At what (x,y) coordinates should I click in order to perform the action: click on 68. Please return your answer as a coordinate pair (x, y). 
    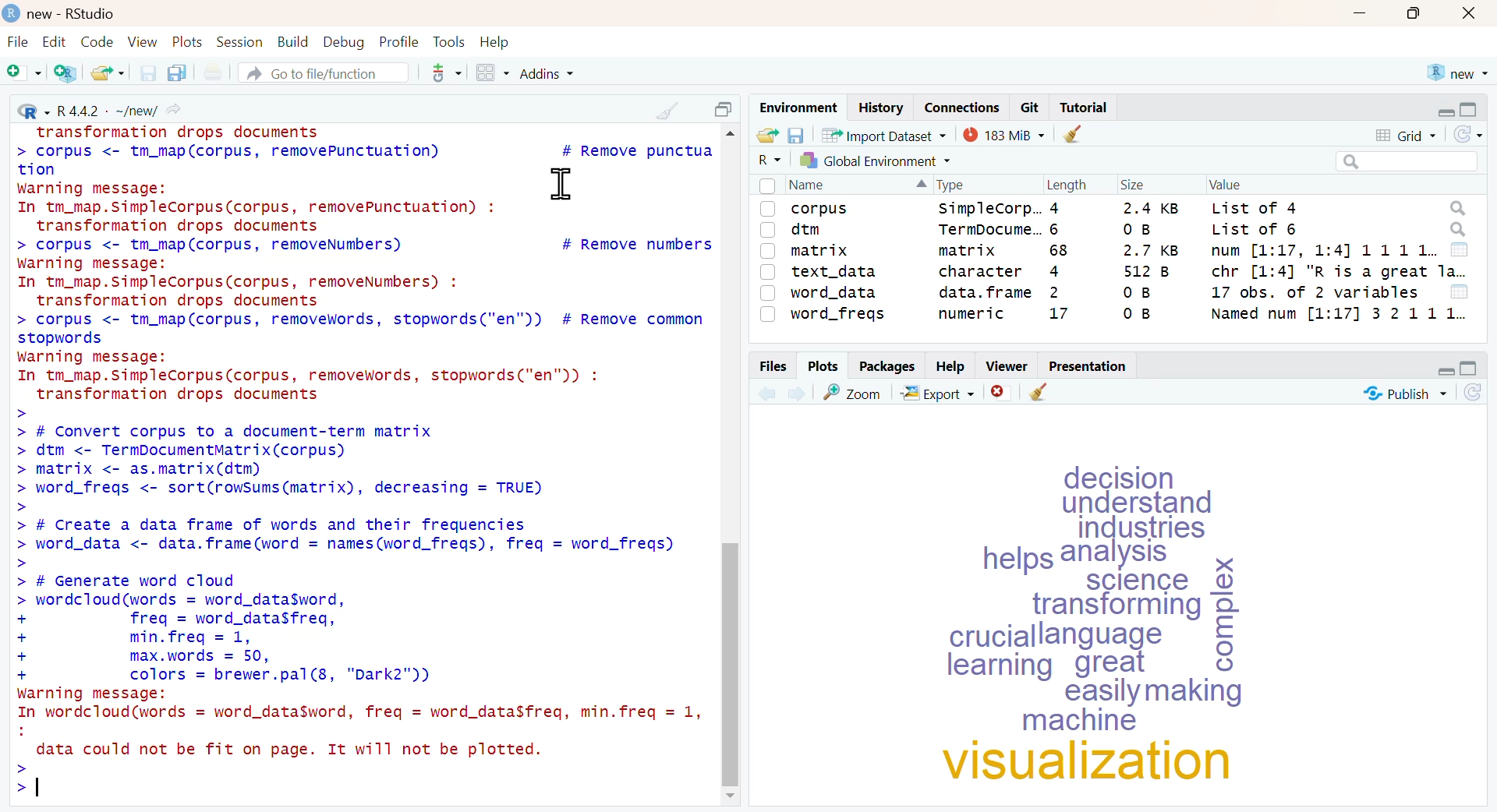
    Looking at the image, I should click on (1056, 251).